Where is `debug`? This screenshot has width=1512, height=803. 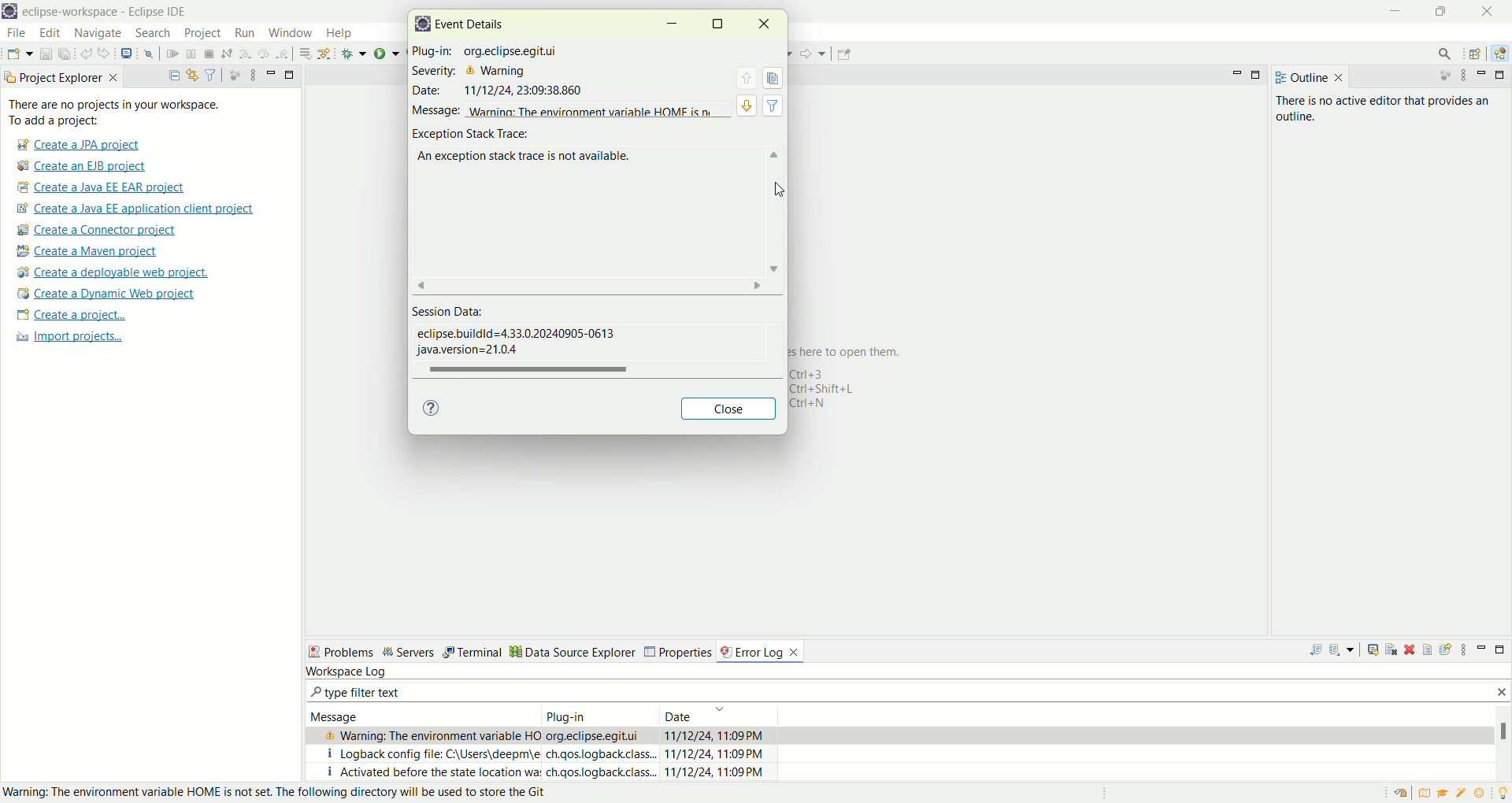
debug is located at coordinates (353, 53).